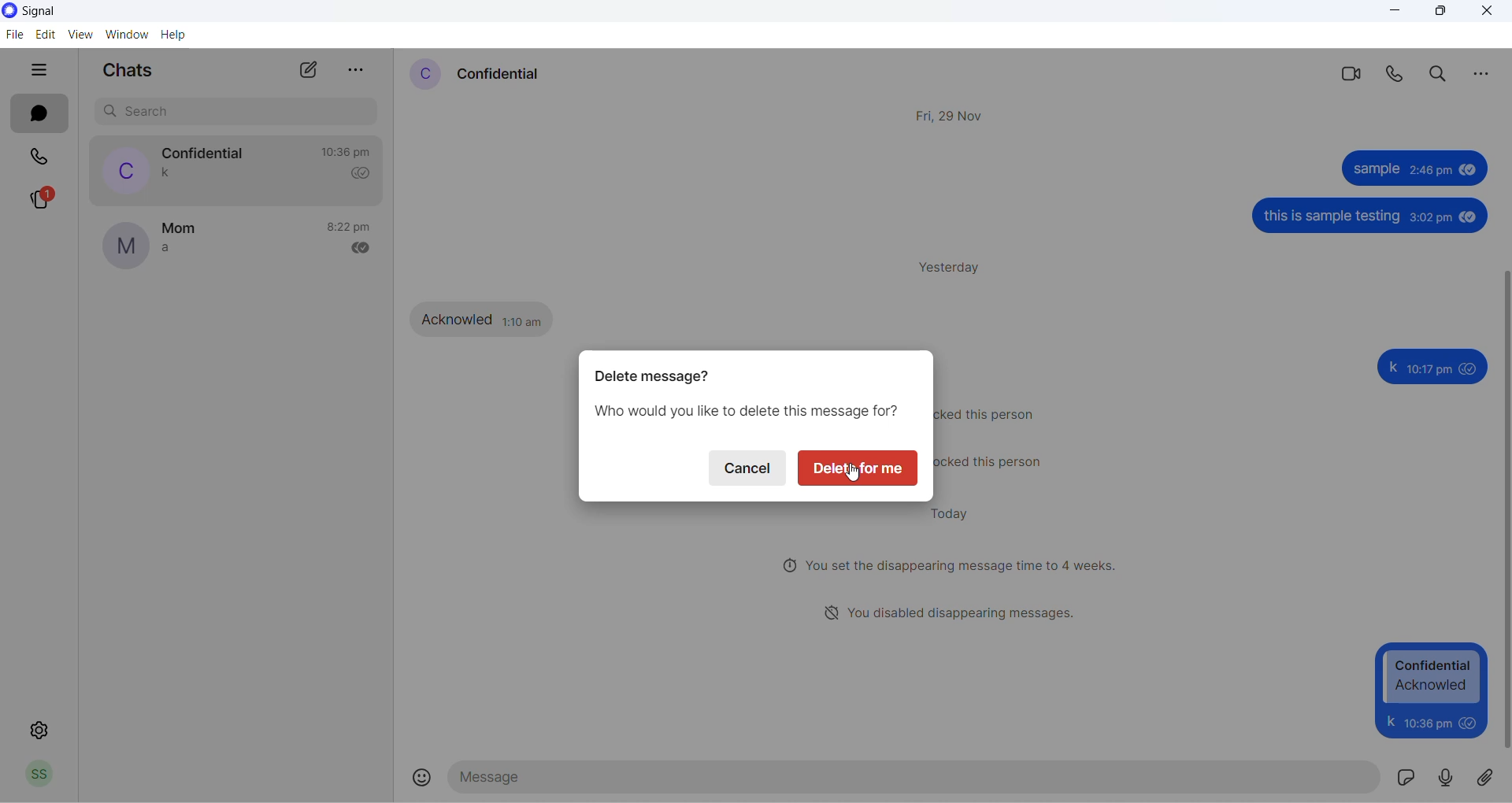 This screenshot has height=803, width=1512. I want to click on cursor, so click(859, 473).